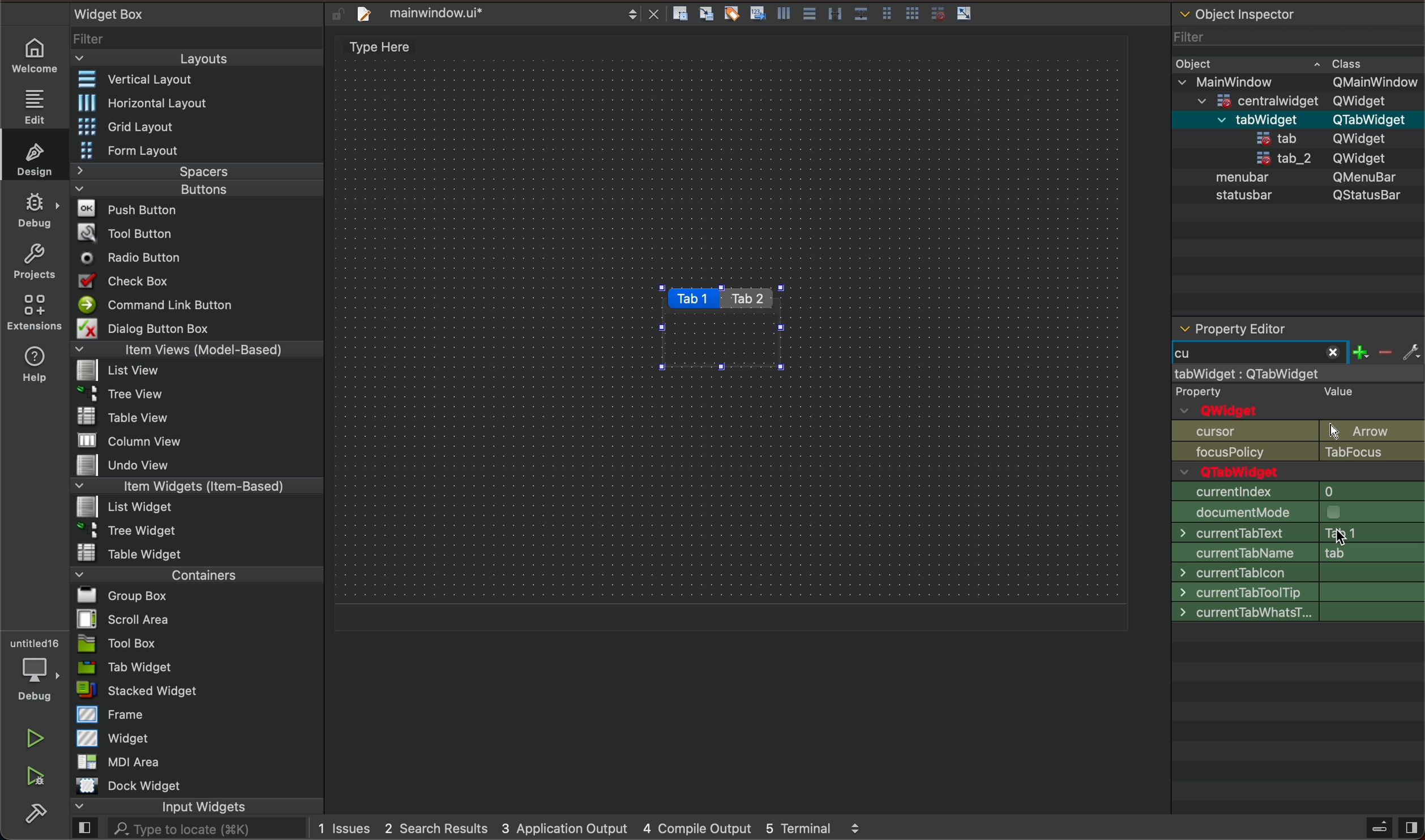  Describe the element at coordinates (128, 761) in the screenshot. I see ` MDI Area` at that location.